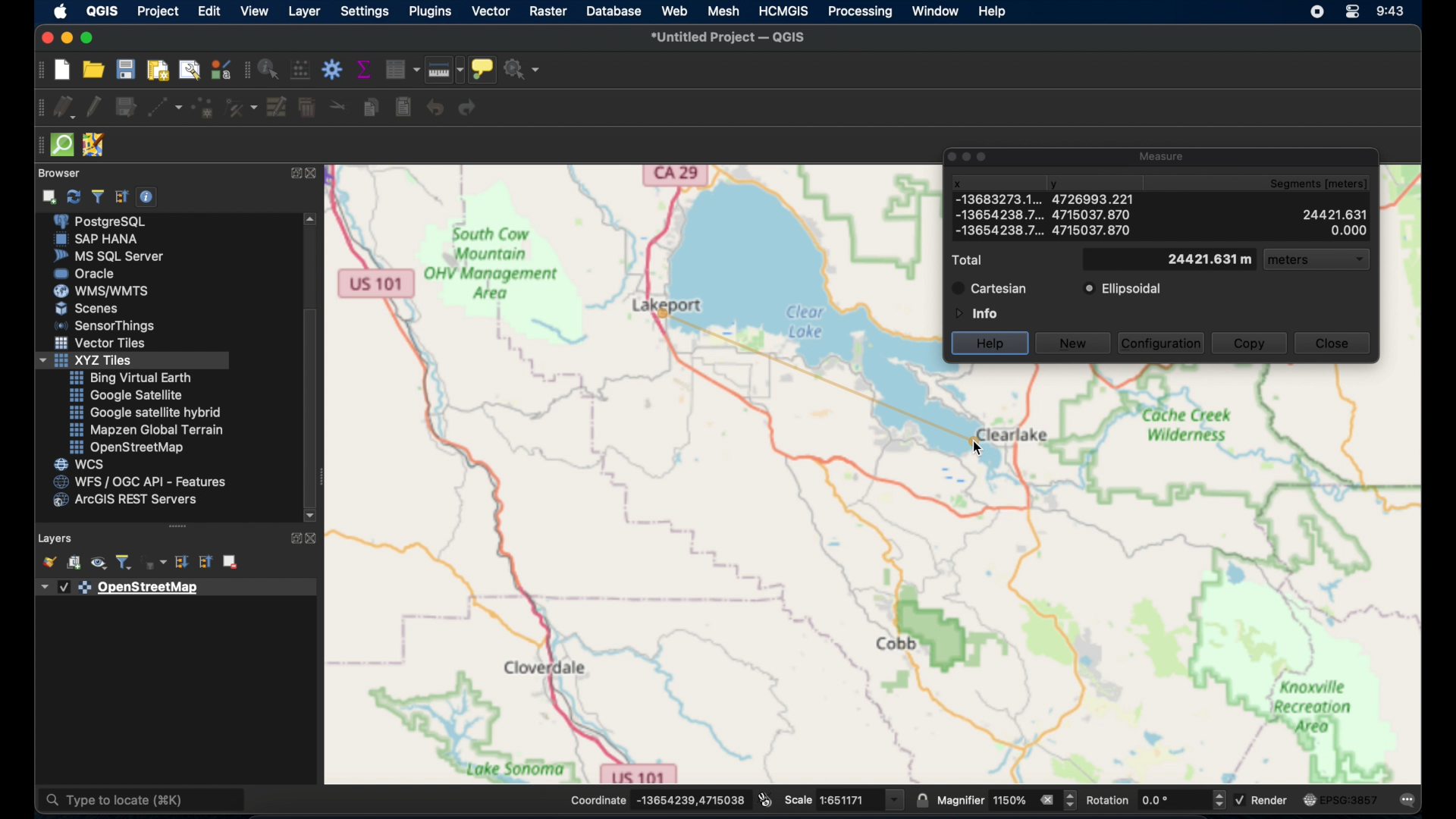 The height and width of the screenshot is (819, 1456). I want to click on show statistical summary, so click(366, 69).